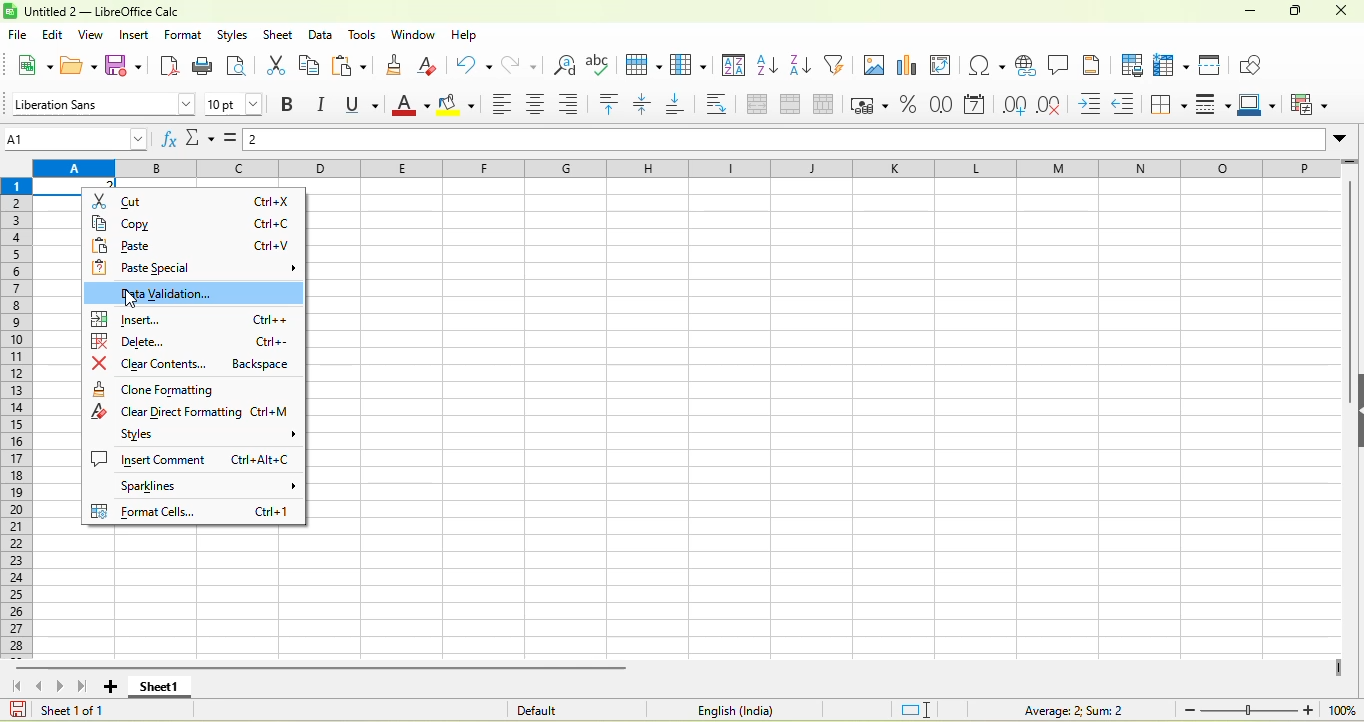 This screenshot has height=722, width=1364. I want to click on font style, so click(100, 103).